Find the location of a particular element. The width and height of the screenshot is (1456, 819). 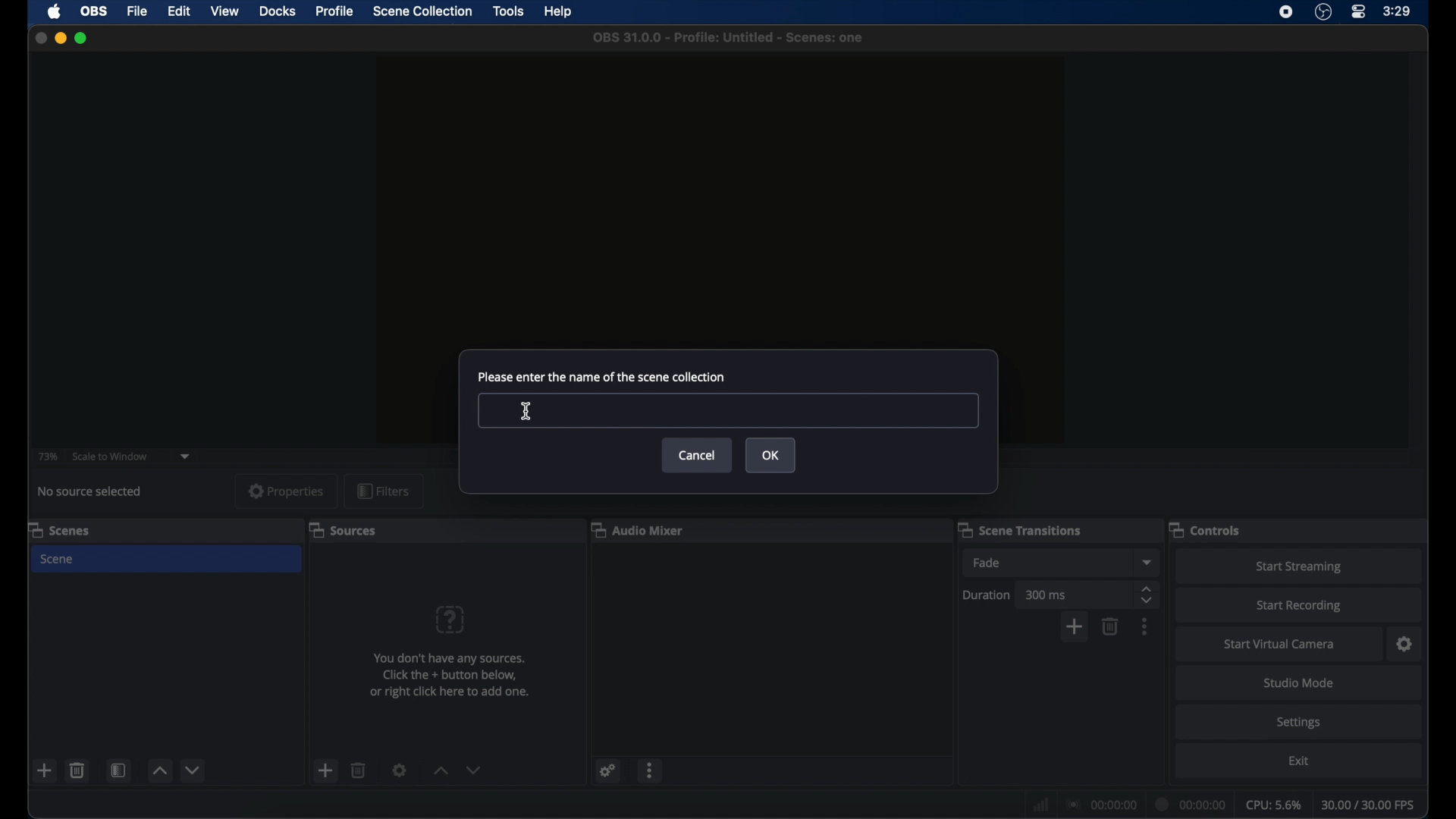

fps is located at coordinates (1370, 805).